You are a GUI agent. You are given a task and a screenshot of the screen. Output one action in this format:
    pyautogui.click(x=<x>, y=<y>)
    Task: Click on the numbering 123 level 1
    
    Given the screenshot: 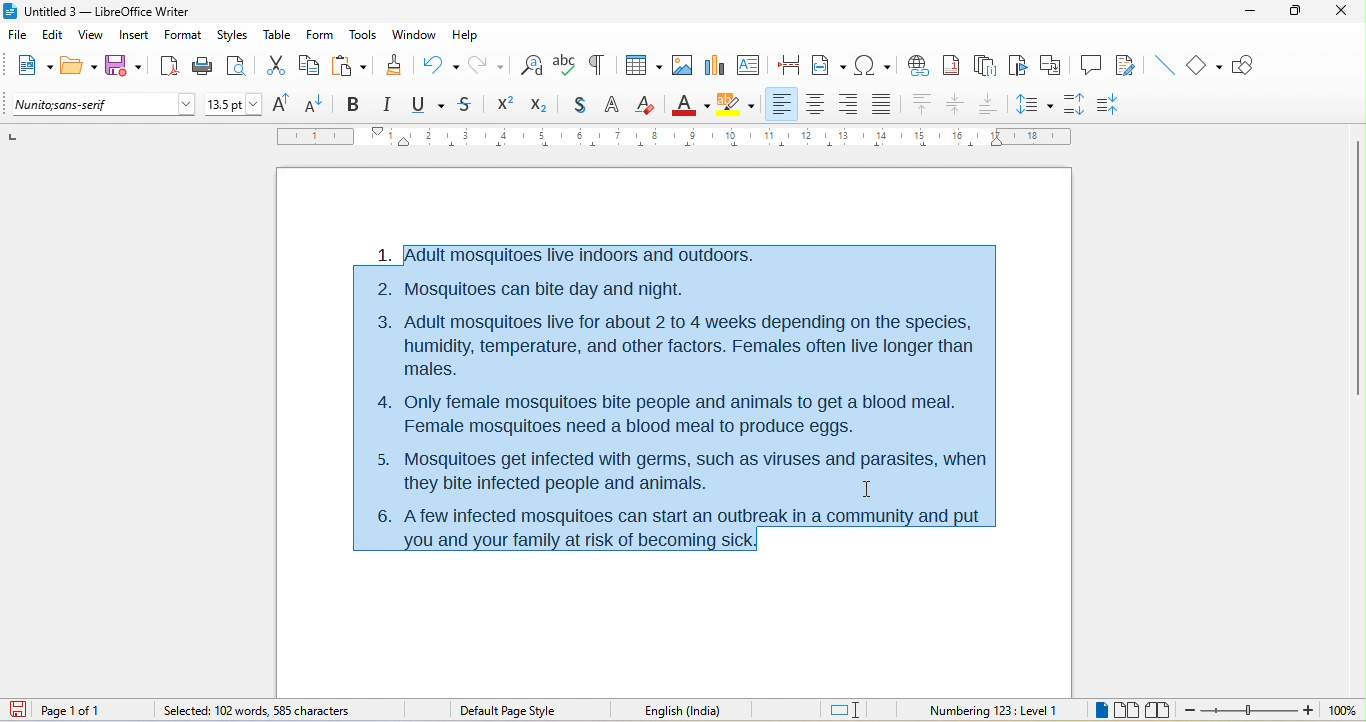 What is the action you would take?
    pyautogui.click(x=994, y=708)
    